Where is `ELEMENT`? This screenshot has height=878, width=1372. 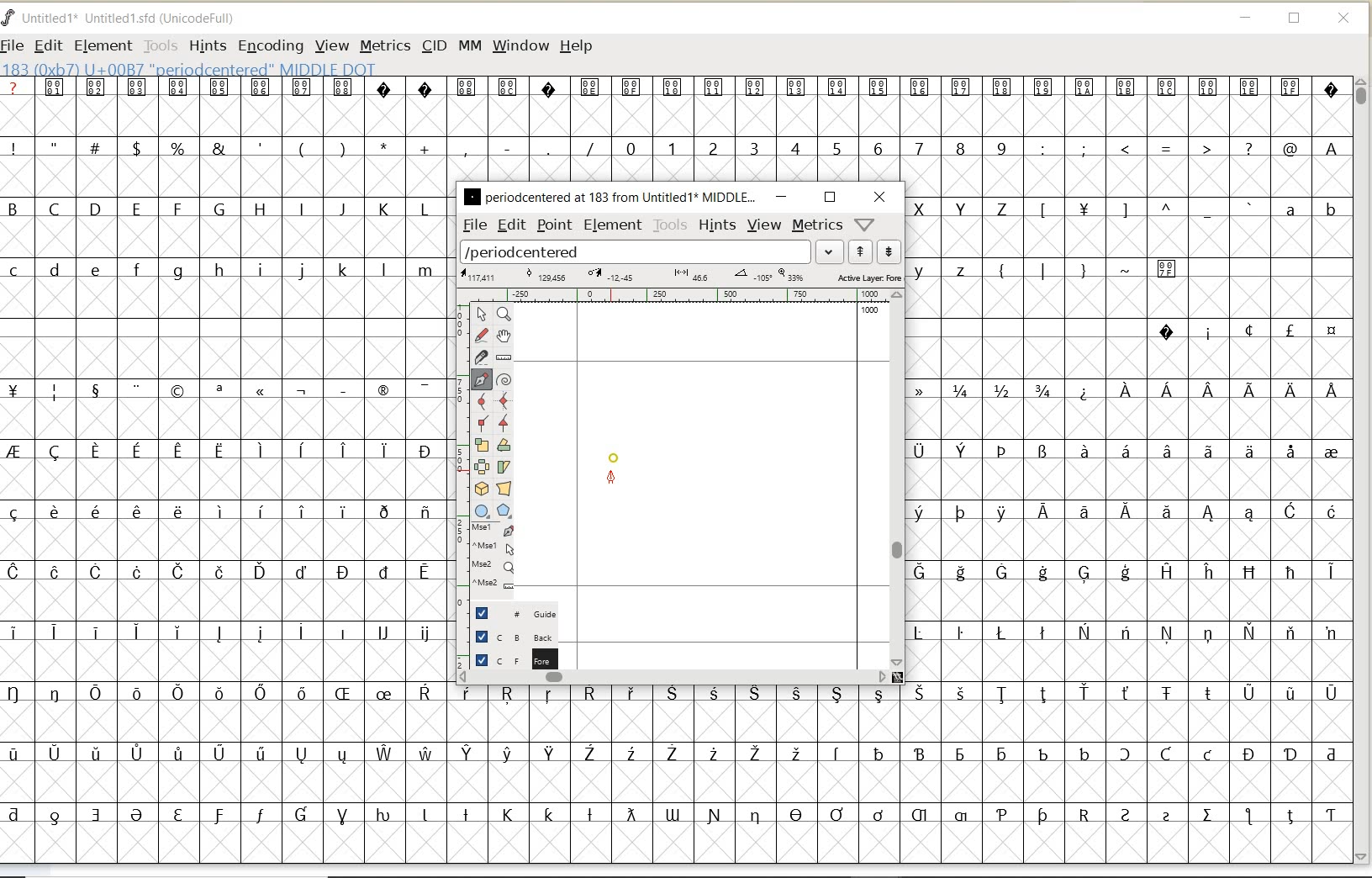
ELEMENT is located at coordinates (103, 45).